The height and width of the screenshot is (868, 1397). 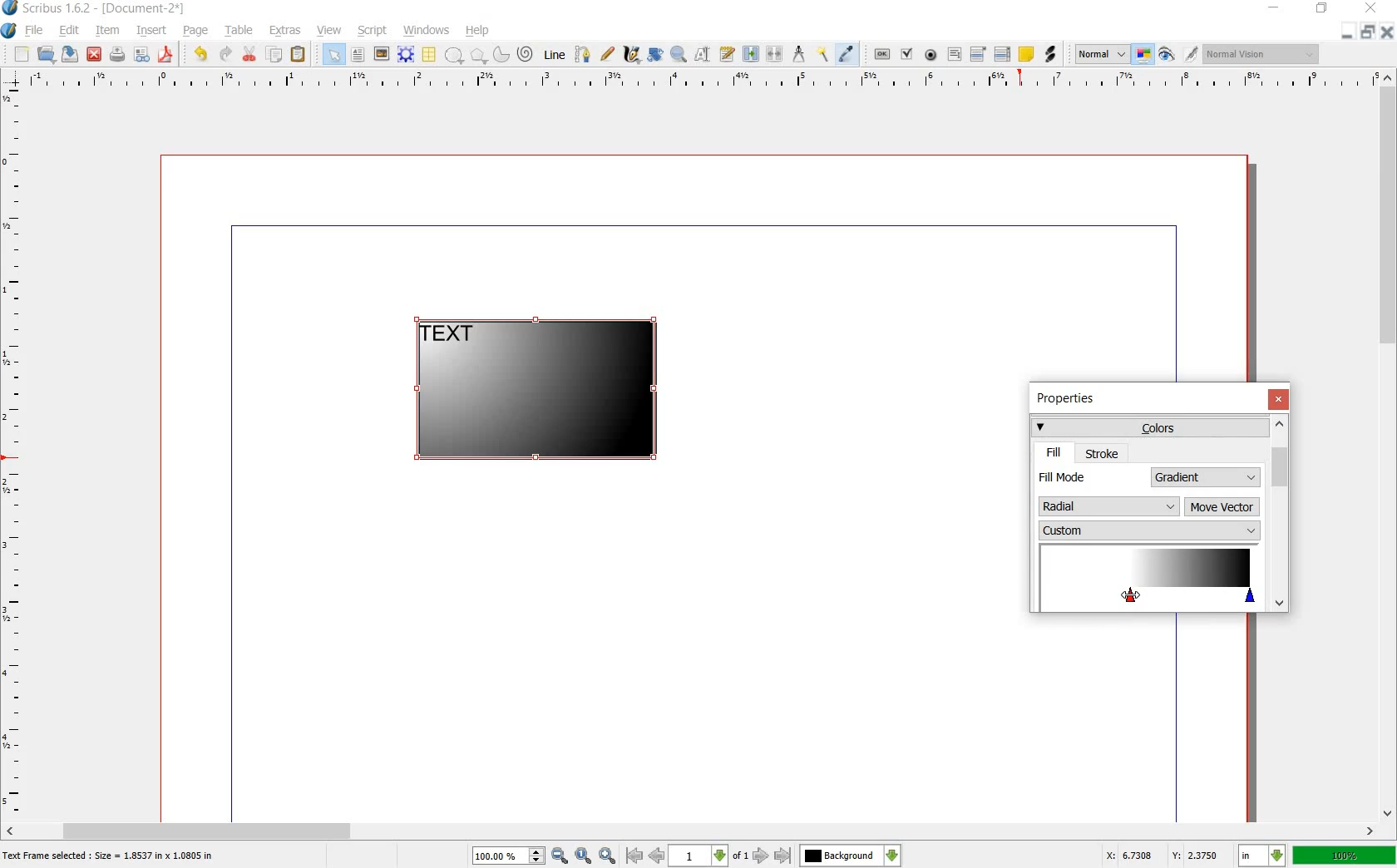 I want to click on X: 6.7308 Y: 2.3750, so click(x=1162, y=855).